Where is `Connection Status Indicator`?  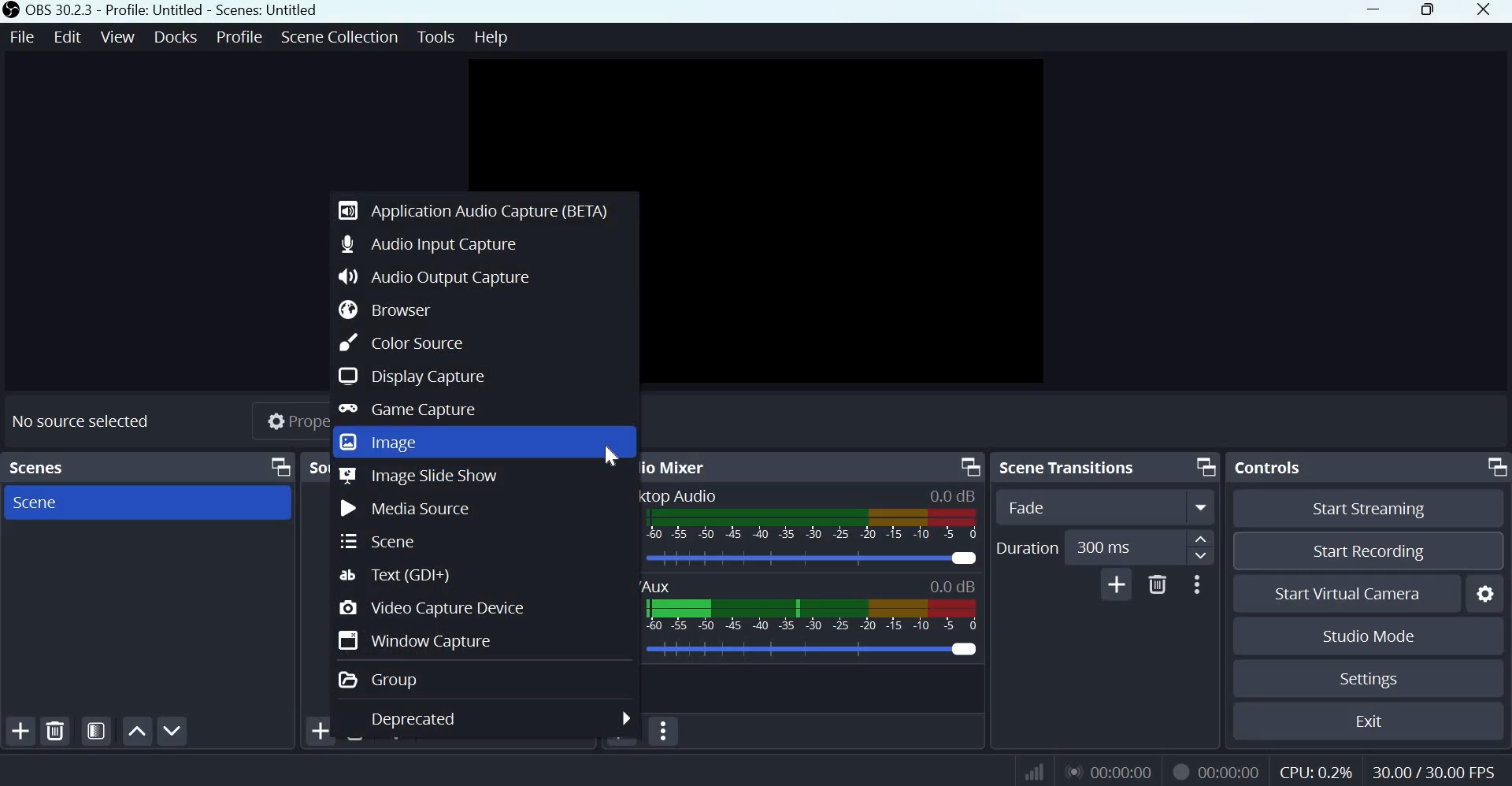 Connection Status Indicator is located at coordinates (1034, 771).